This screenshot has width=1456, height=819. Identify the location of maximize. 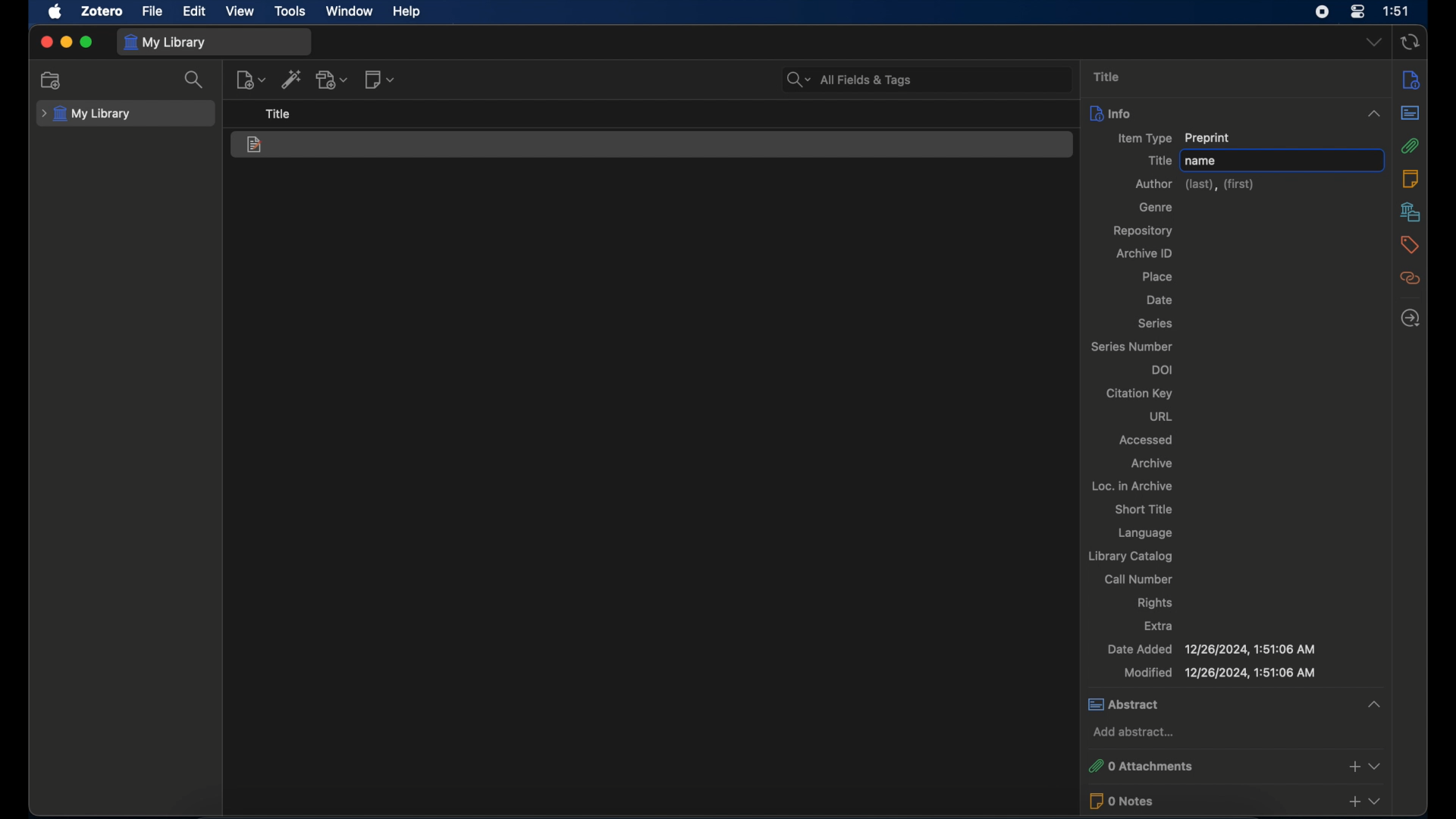
(86, 43).